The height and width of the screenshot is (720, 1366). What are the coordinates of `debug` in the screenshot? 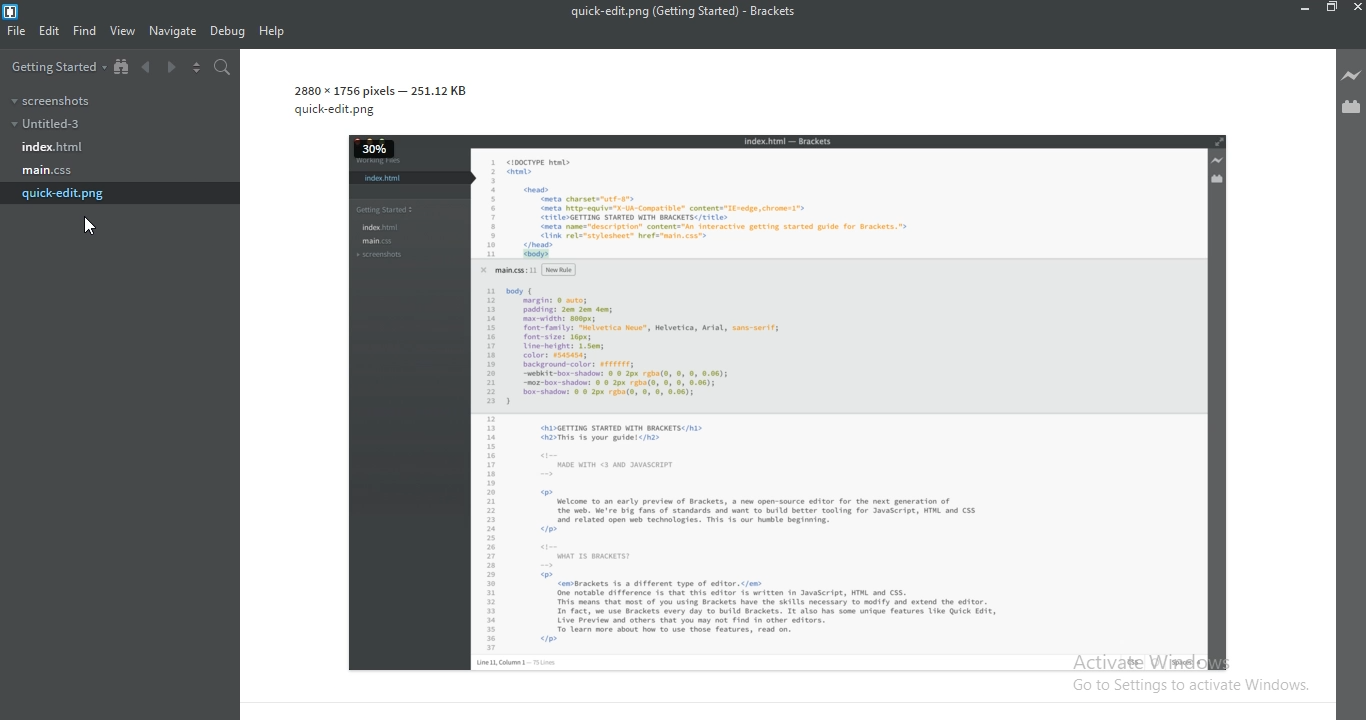 It's located at (225, 32).